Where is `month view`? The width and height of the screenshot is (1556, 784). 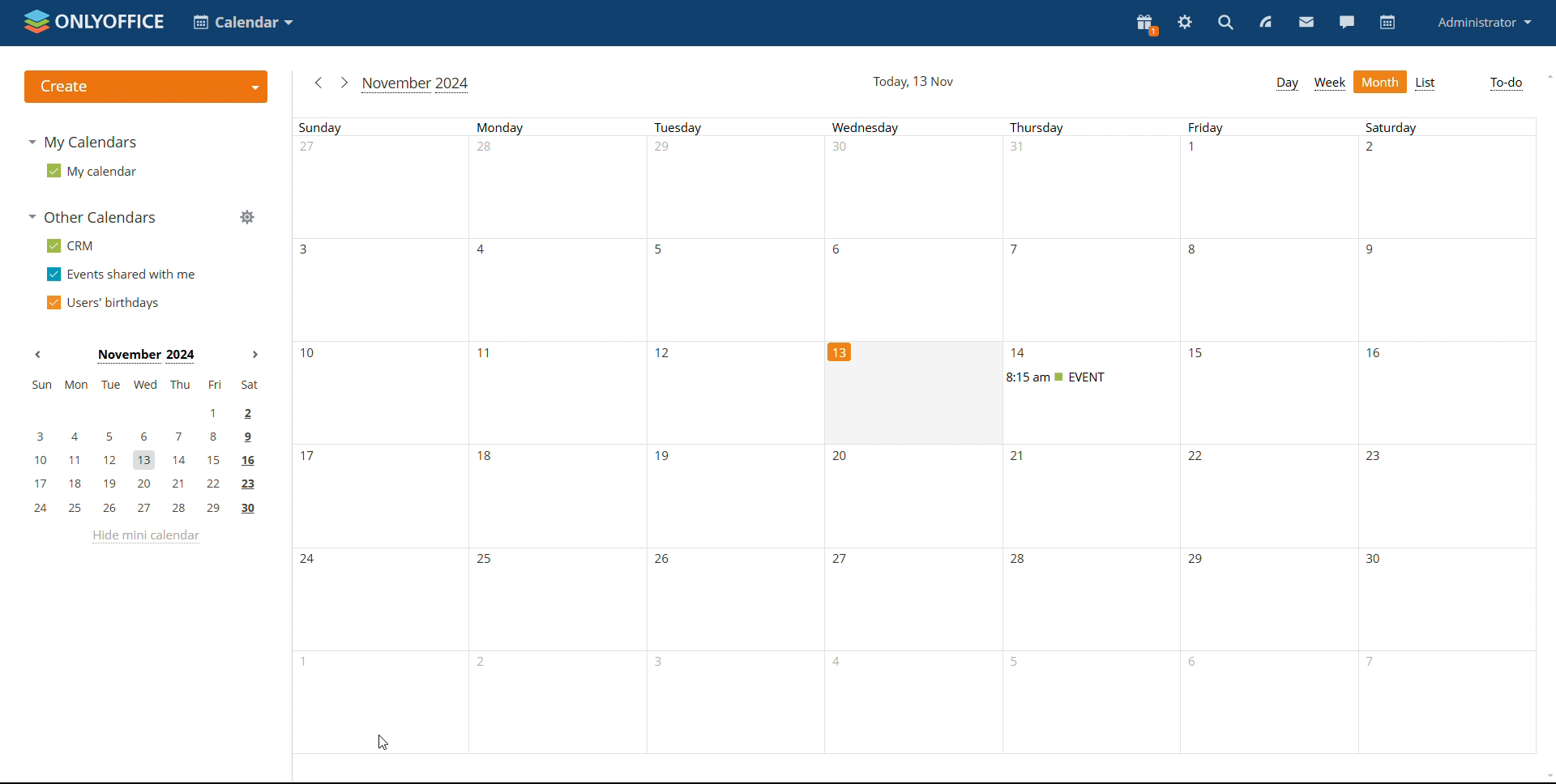
month view is located at coordinates (1380, 82).